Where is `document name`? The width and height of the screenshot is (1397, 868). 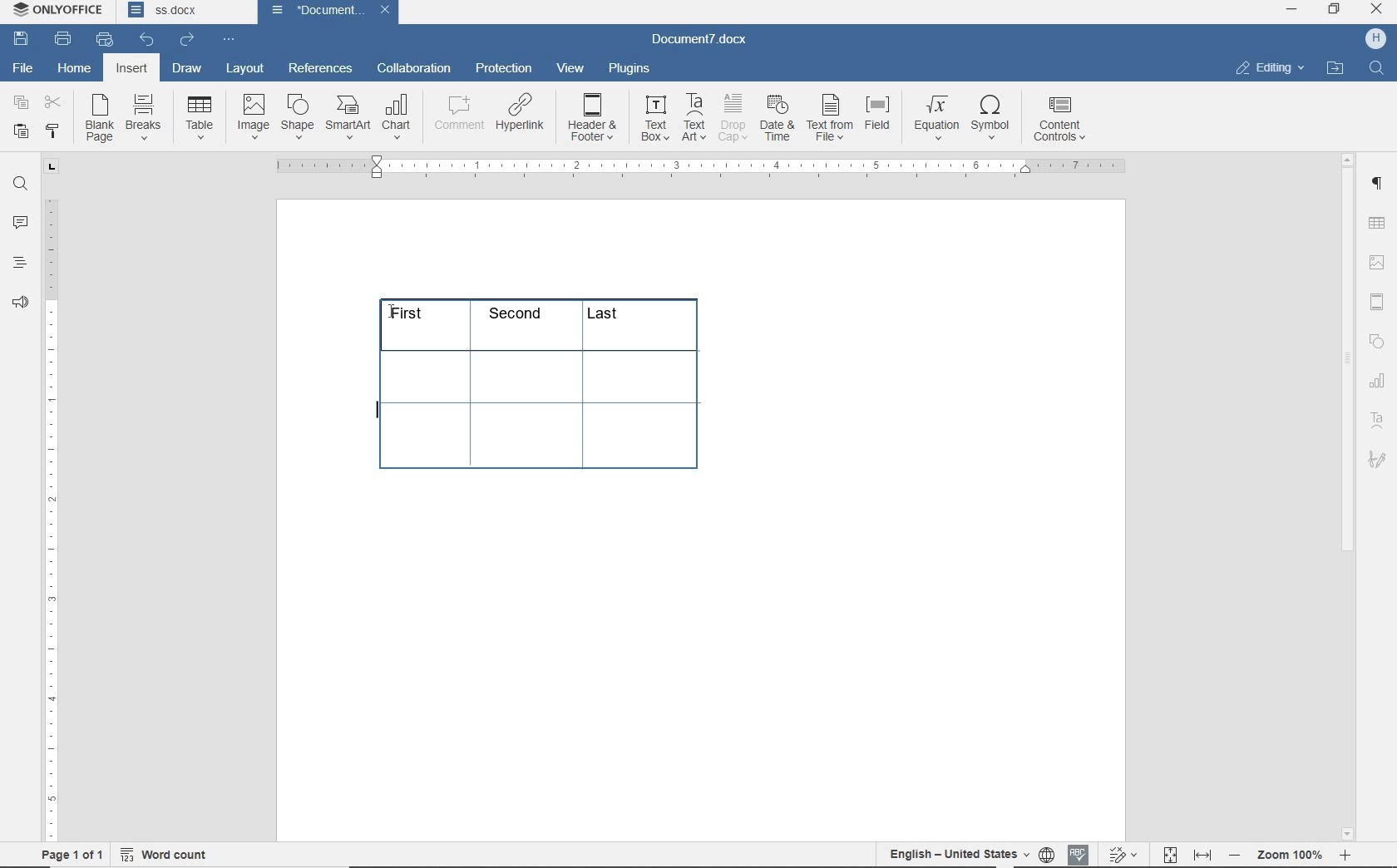
document name is located at coordinates (706, 37).